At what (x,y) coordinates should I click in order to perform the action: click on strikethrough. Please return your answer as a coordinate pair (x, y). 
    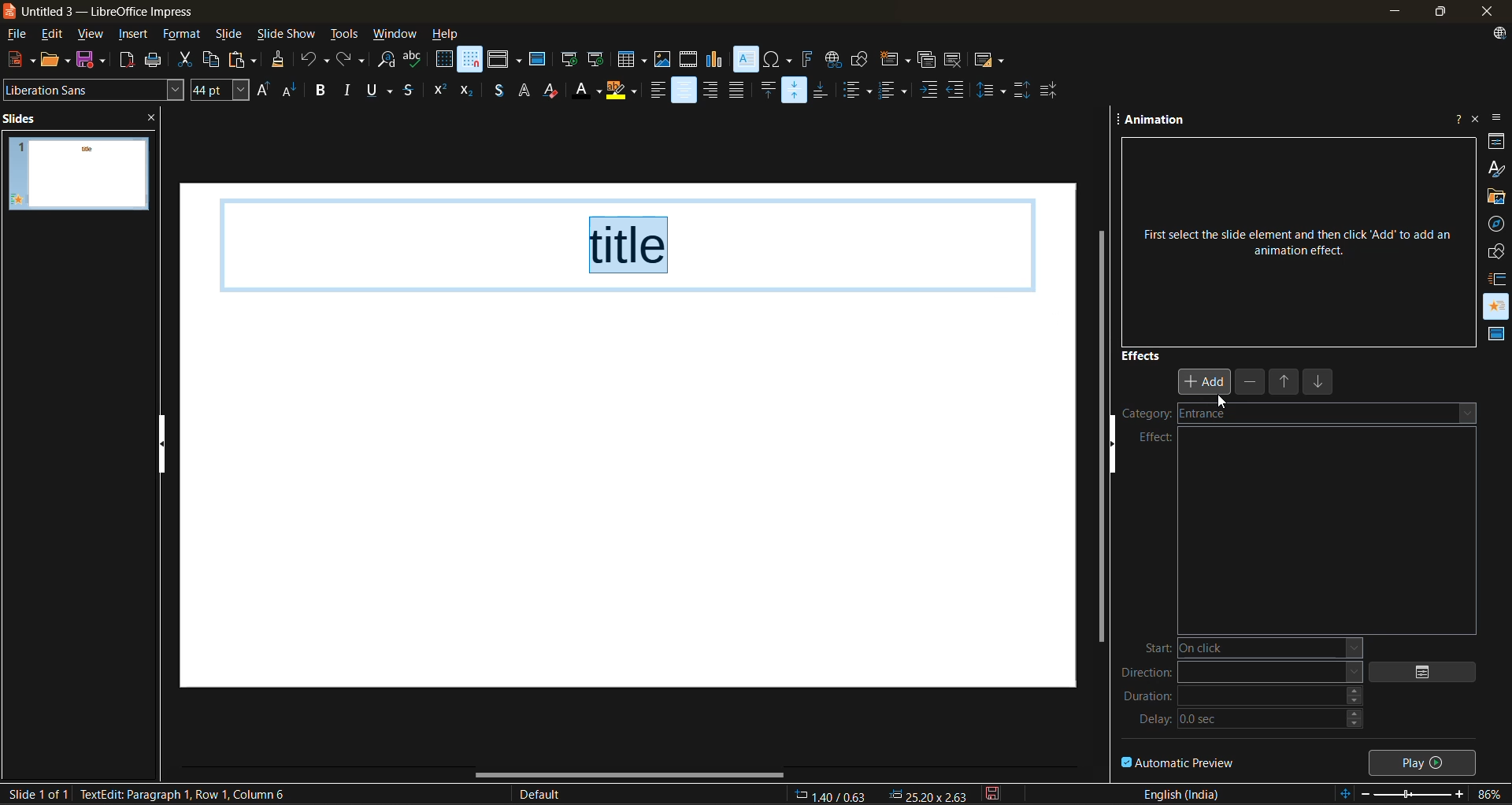
    Looking at the image, I should click on (409, 92).